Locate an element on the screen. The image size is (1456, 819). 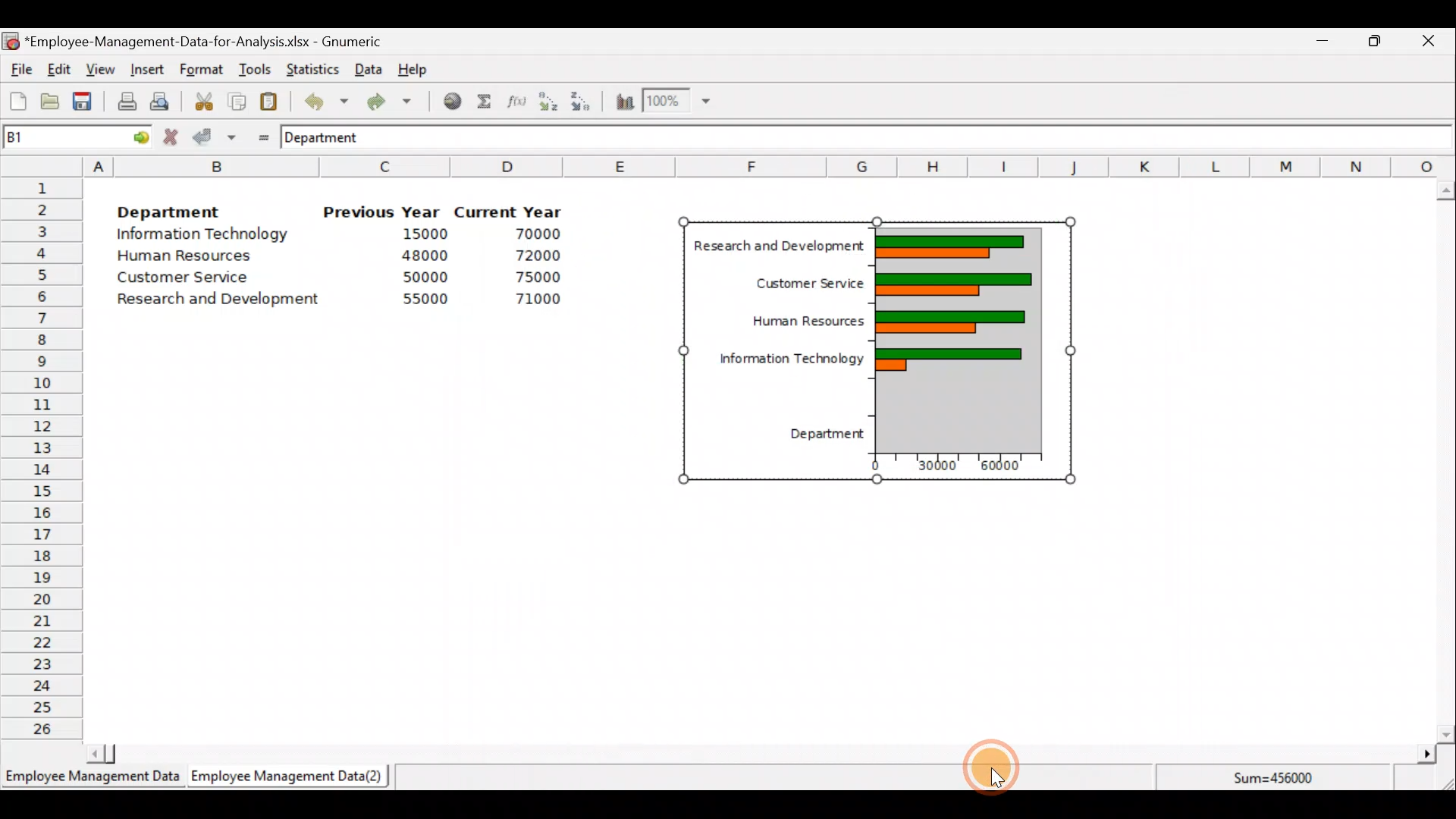
Cut the selection is located at coordinates (199, 99).